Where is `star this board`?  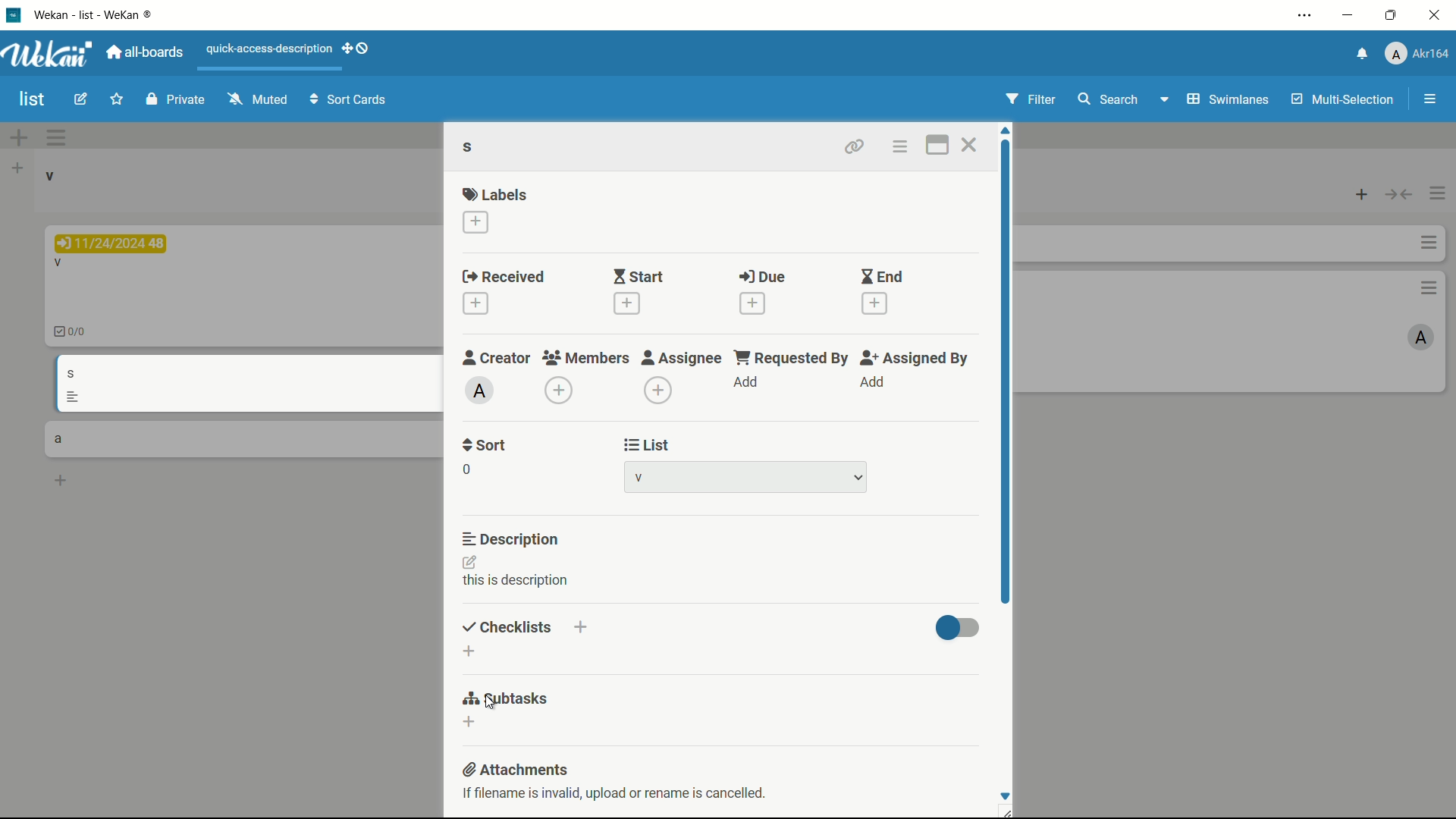 star this board is located at coordinates (116, 101).